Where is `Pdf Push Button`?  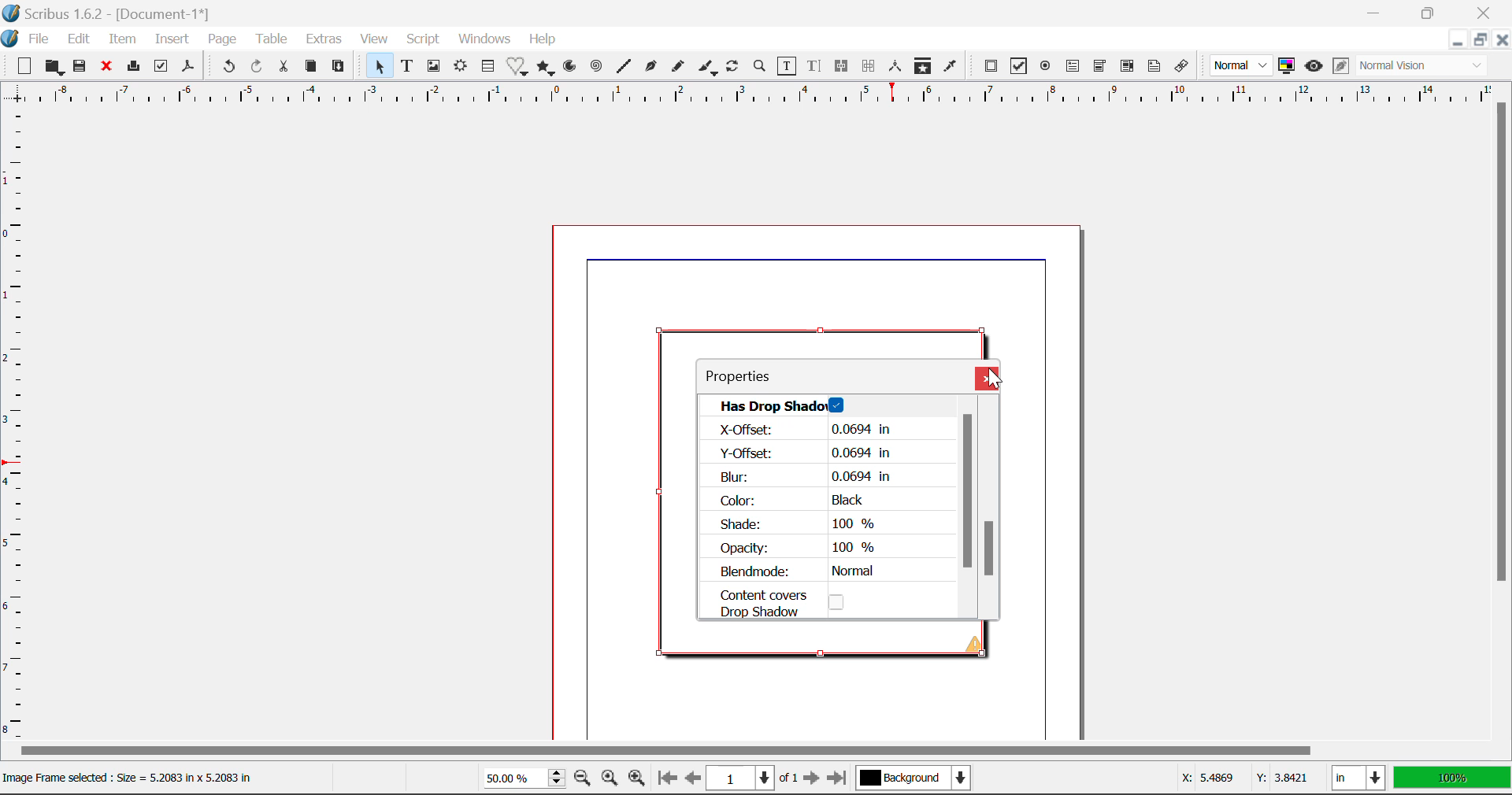
Pdf Push Button is located at coordinates (992, 68).